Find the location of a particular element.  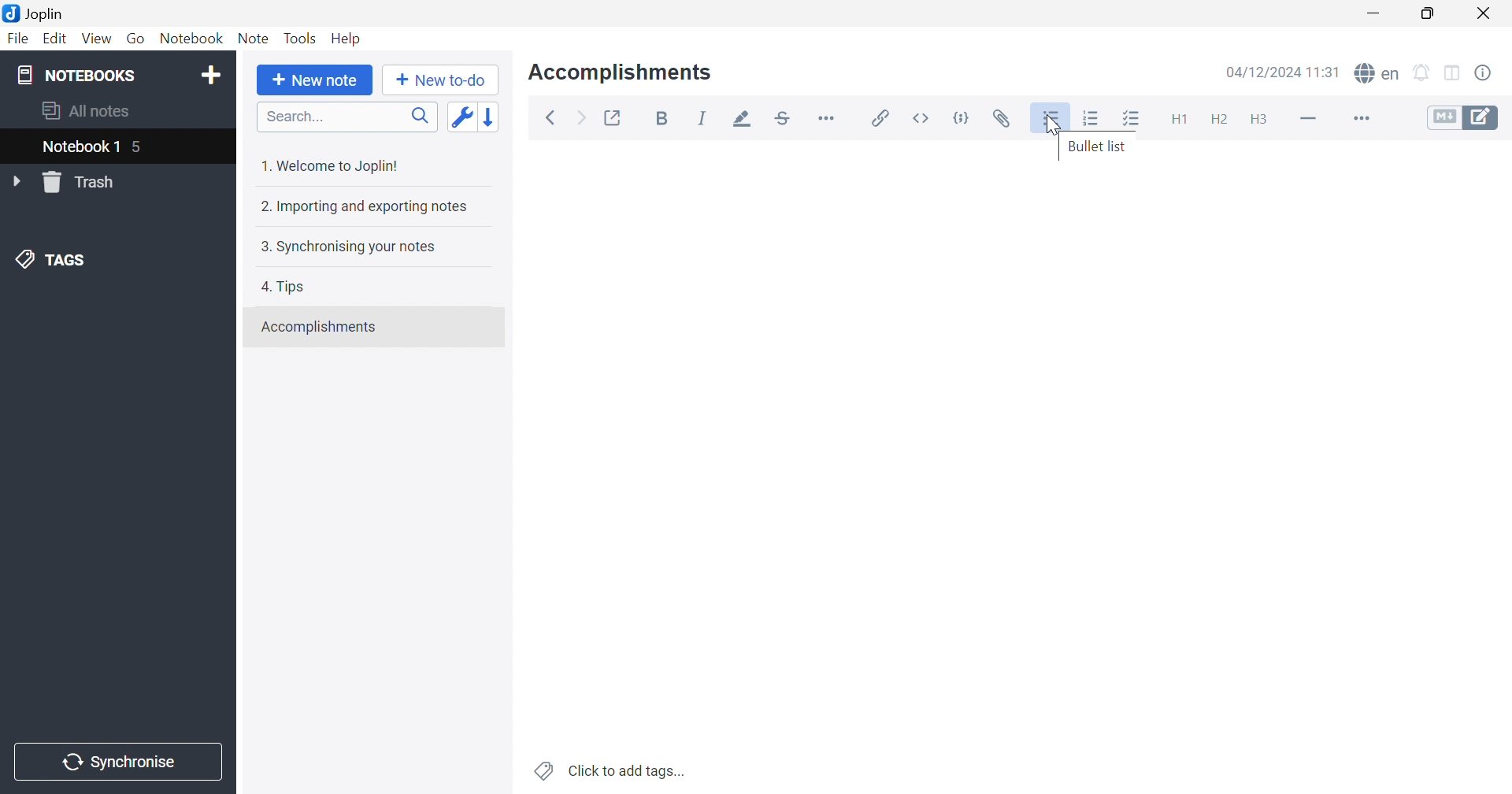

Strikethrough is located at coordinates (782, 121).